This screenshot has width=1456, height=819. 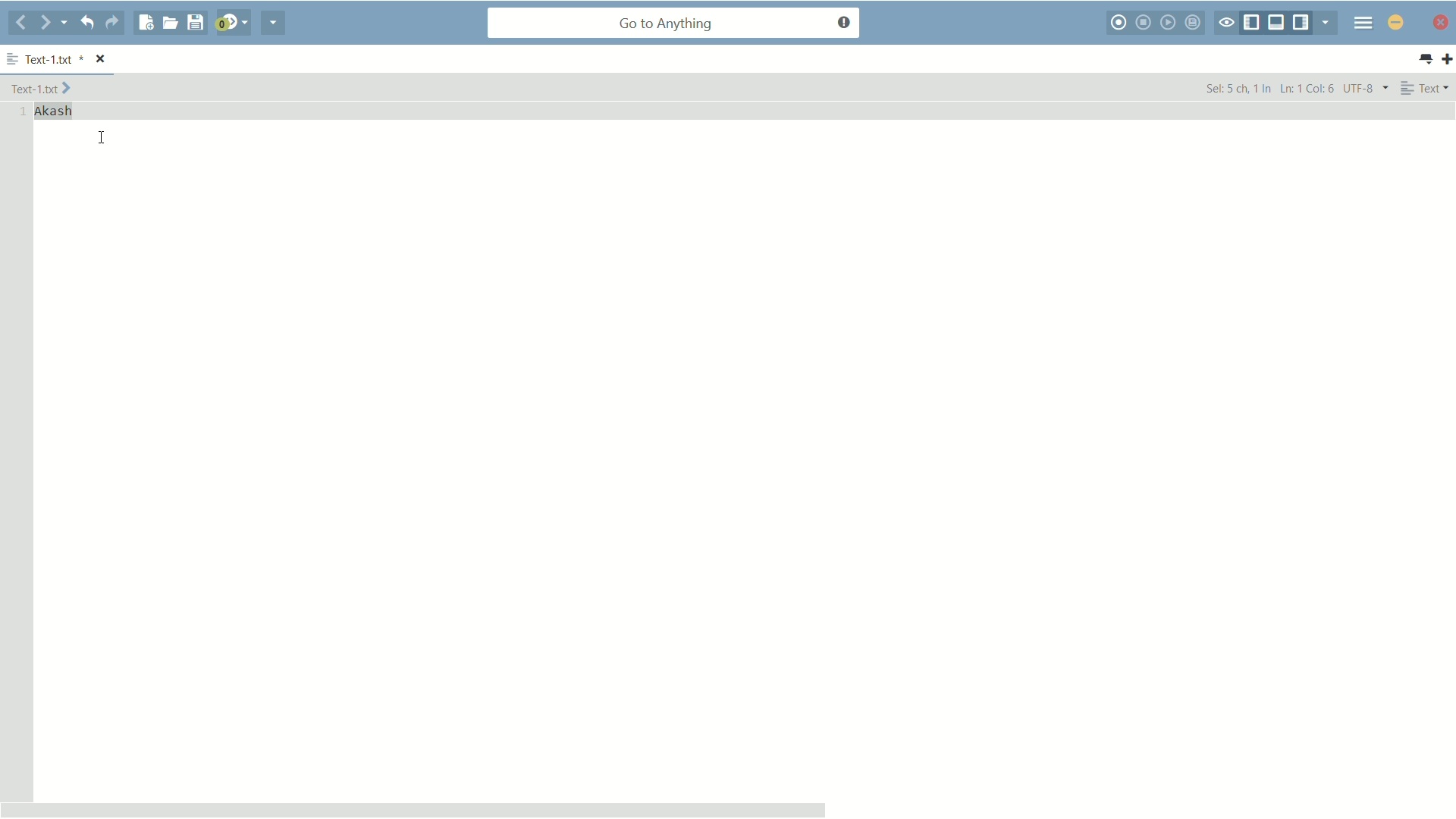 I want to click on file name, so click(x=55, y=61).